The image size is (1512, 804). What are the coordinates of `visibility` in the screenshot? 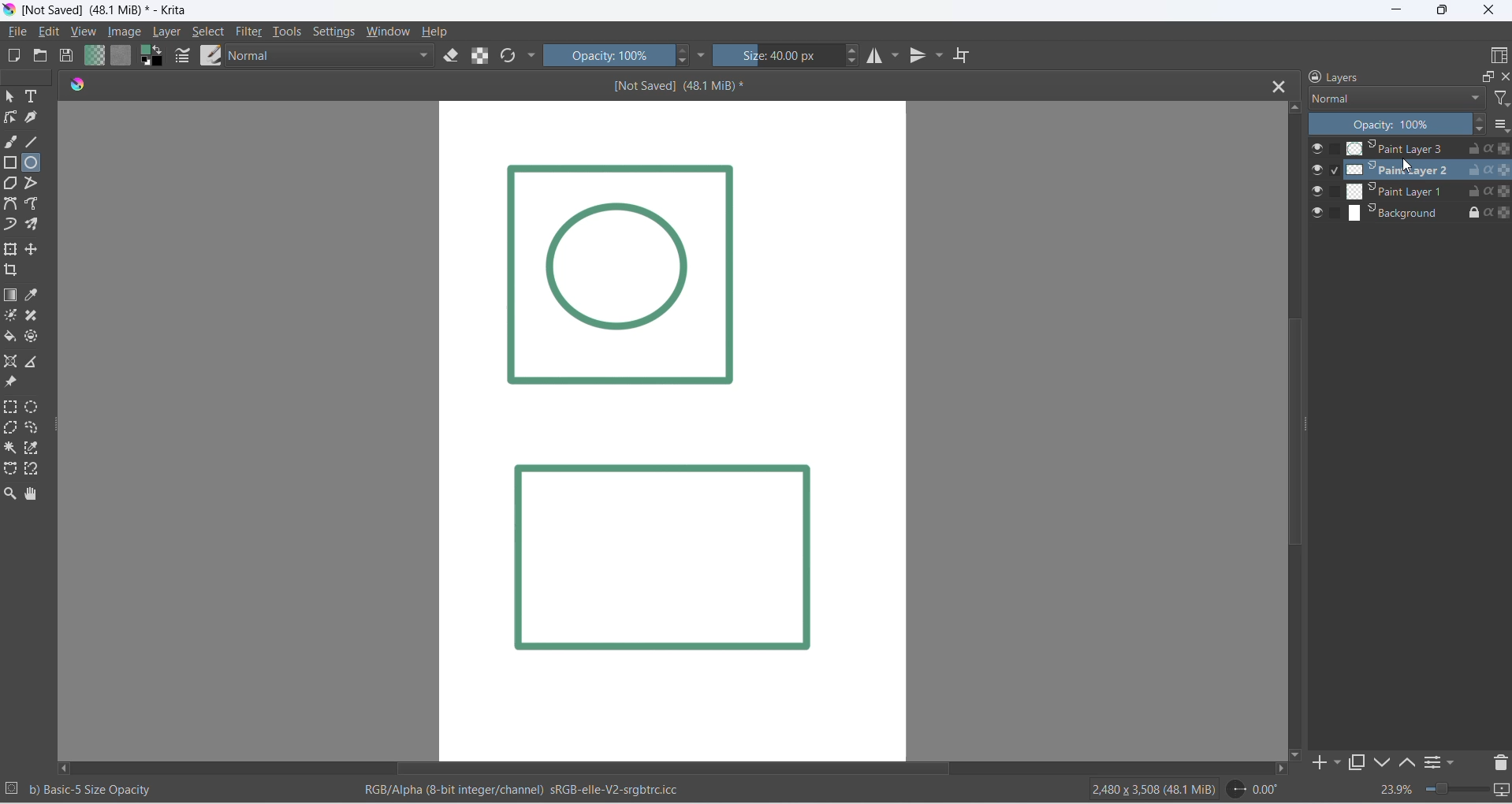 It's located at (1318, 149).